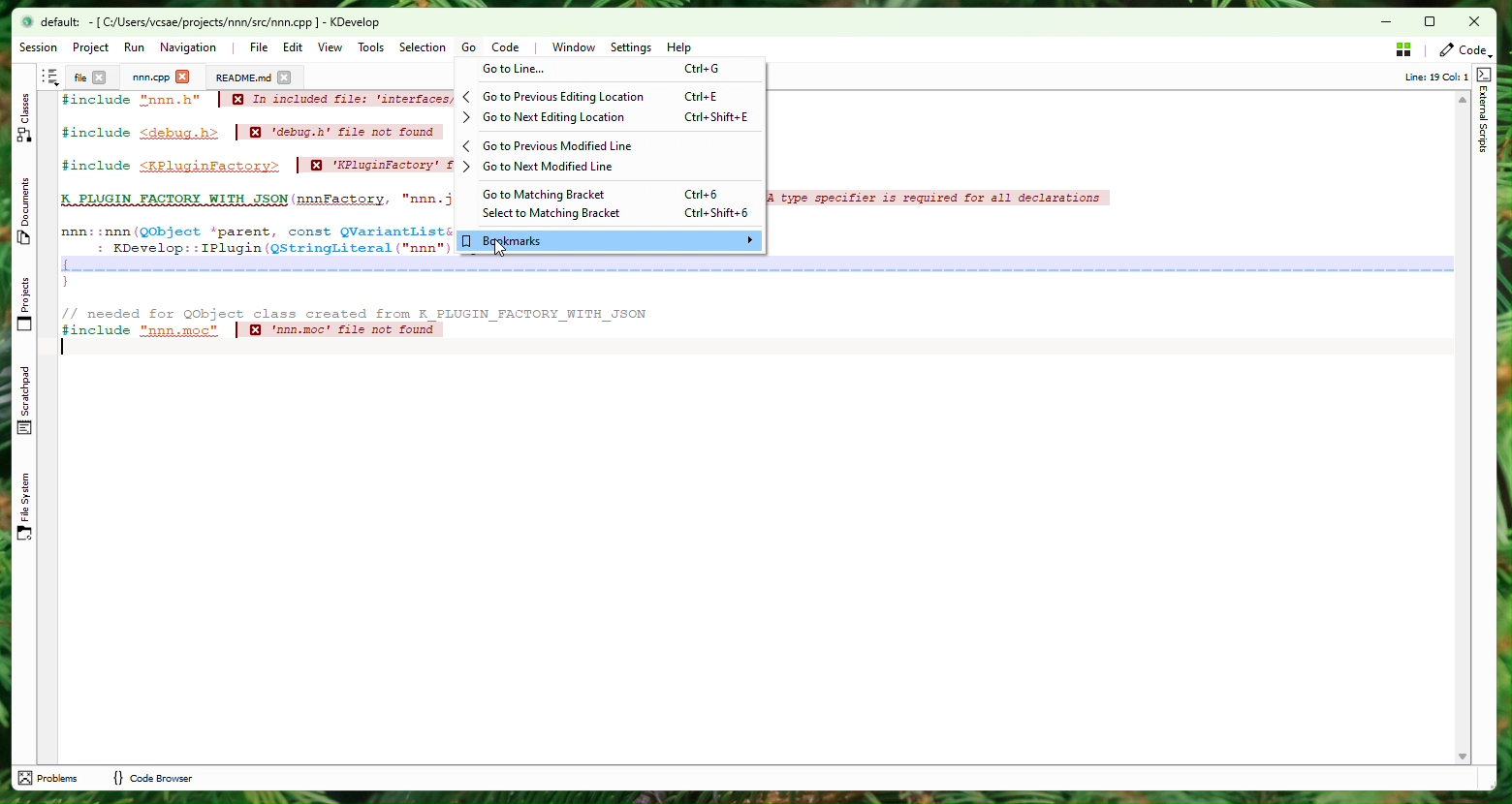 The width and height of the screenshot is (1512, 804). I want to click on Close, so click(1476, 22).